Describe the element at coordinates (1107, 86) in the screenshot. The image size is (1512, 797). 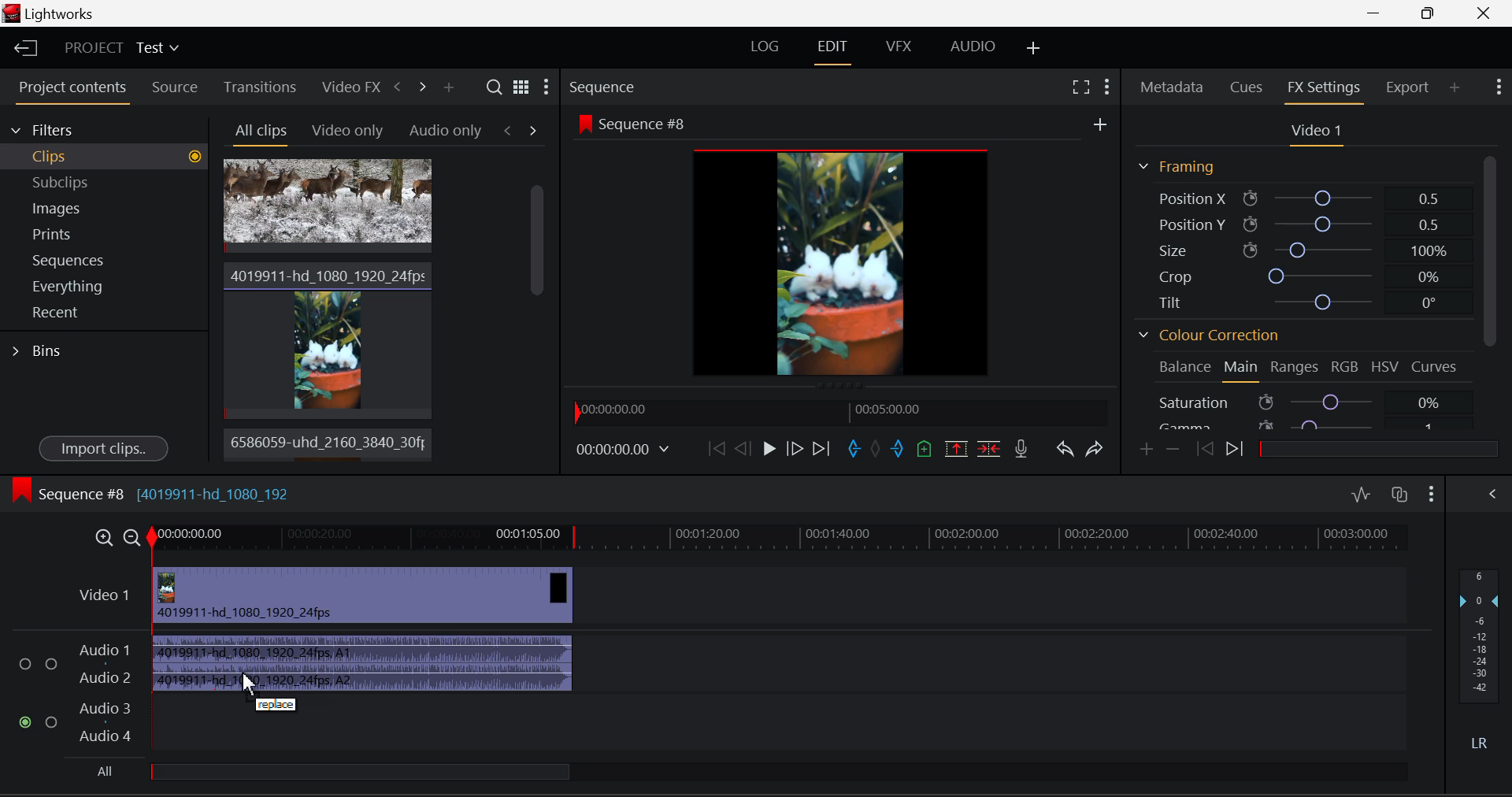
I see `Show Settings` at that location.